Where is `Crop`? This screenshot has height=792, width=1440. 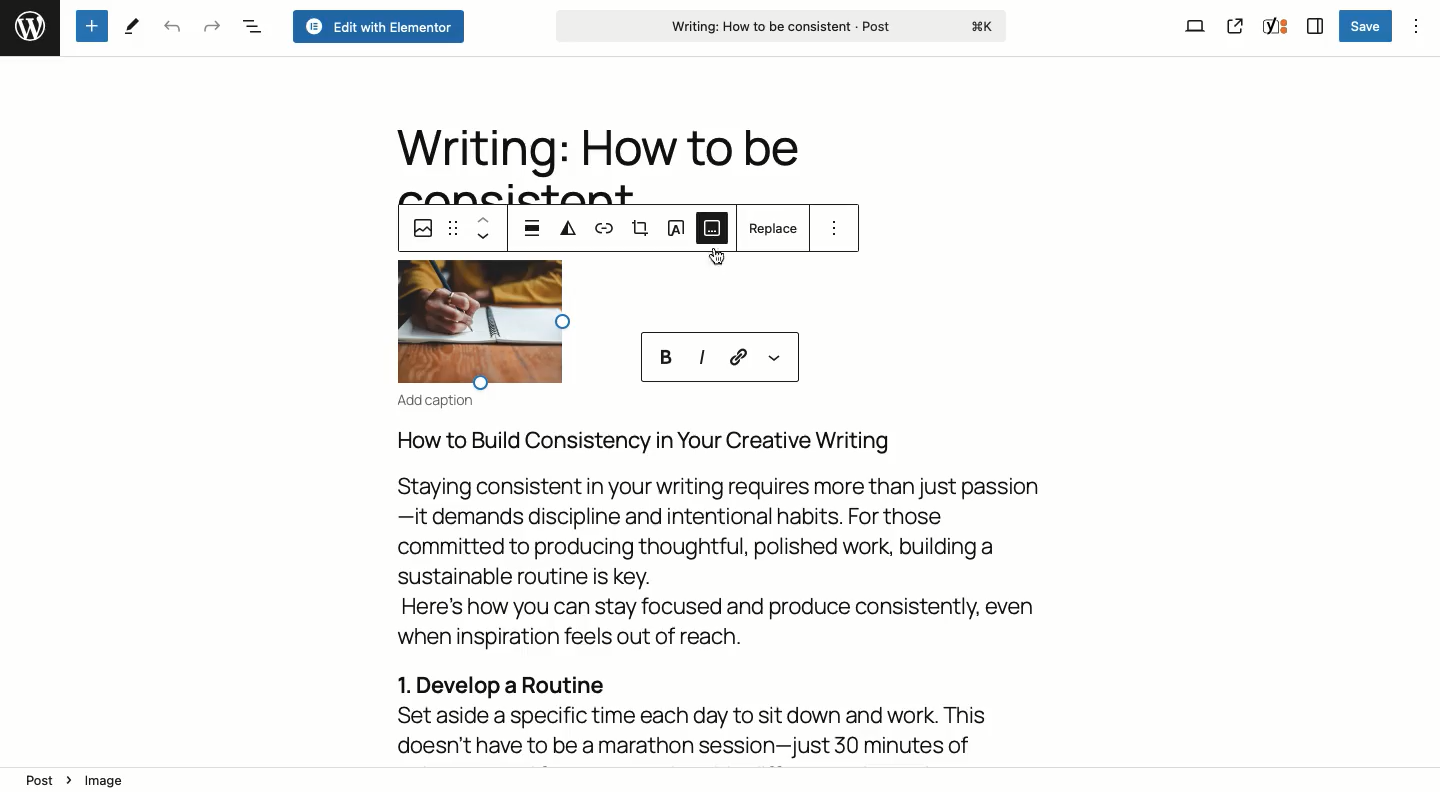
Crop is located at coordinates (641, 229).